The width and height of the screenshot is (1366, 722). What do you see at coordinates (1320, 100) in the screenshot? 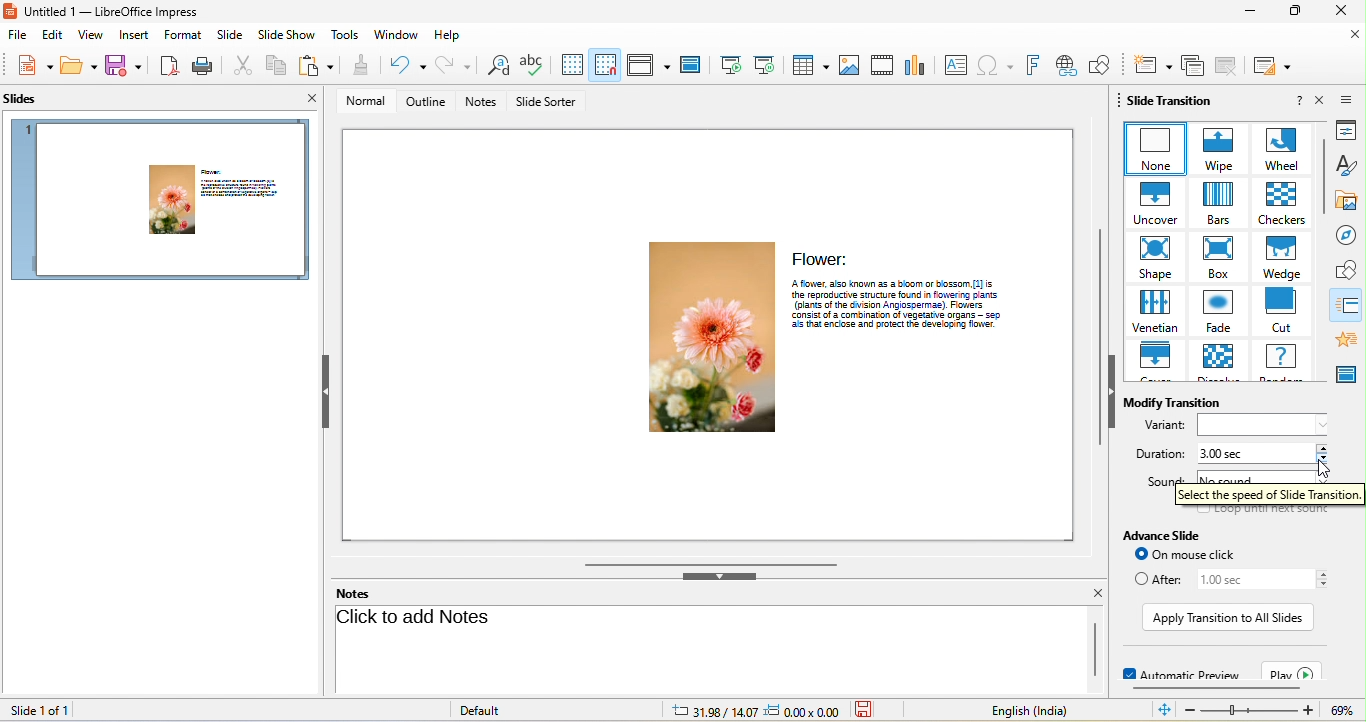
I see `close` at bounding box center [1320, 100].